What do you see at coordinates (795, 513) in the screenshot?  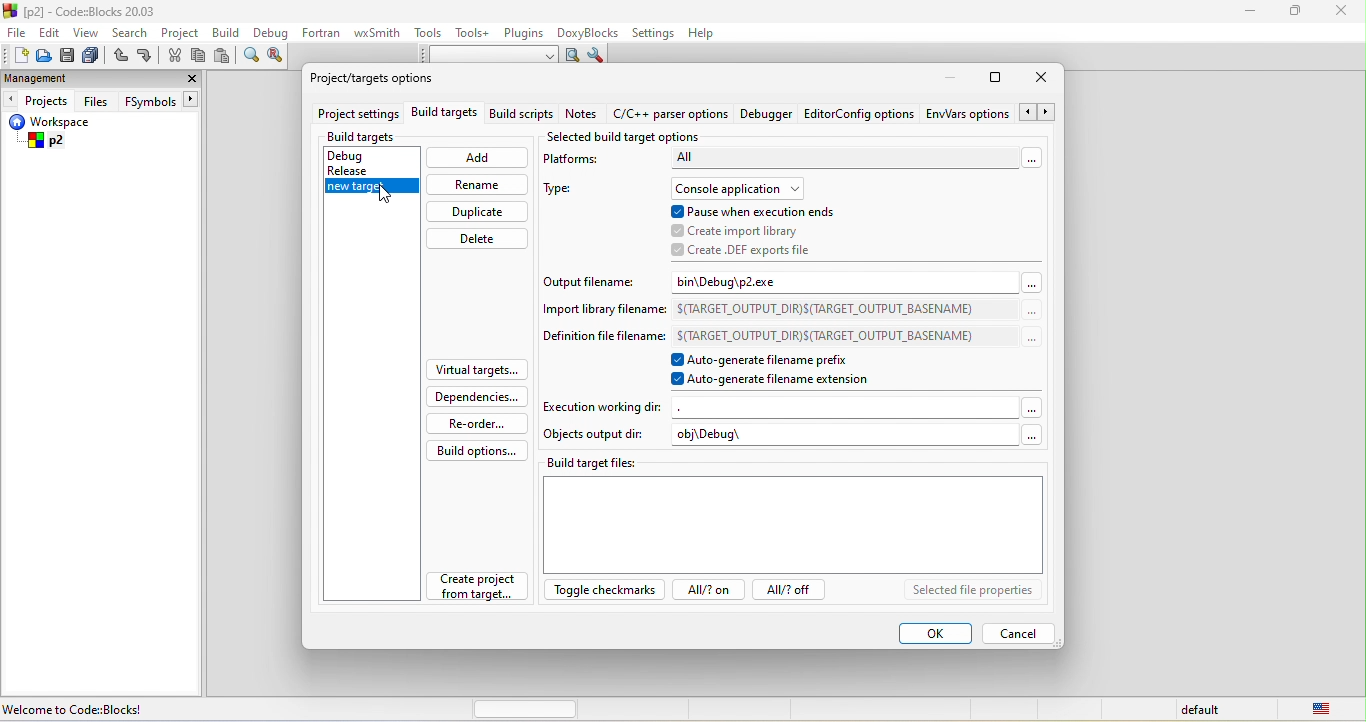 I see `build target files` at bounding box center [795, 513].